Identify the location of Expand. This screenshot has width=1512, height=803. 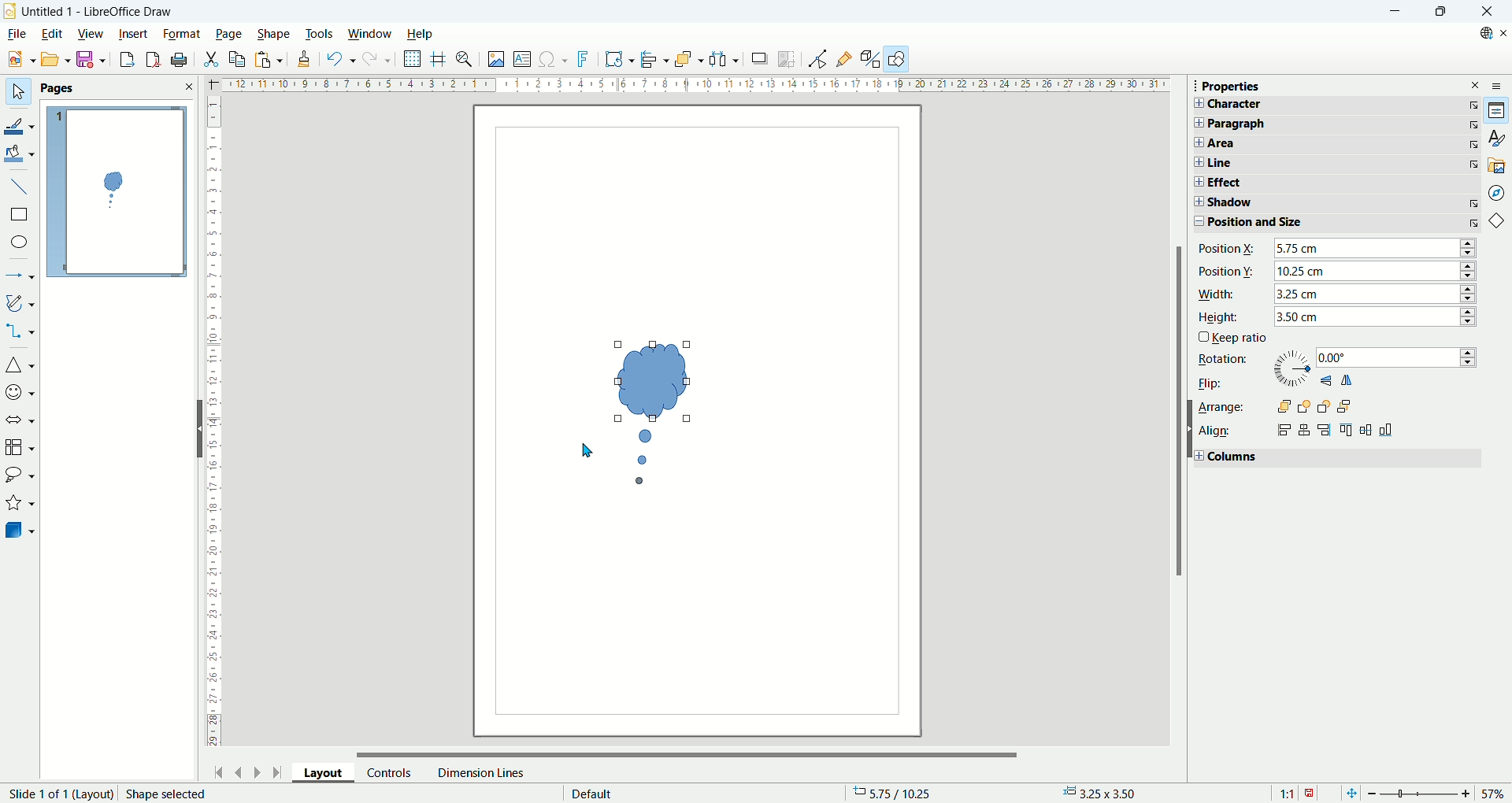
(1195, 202).